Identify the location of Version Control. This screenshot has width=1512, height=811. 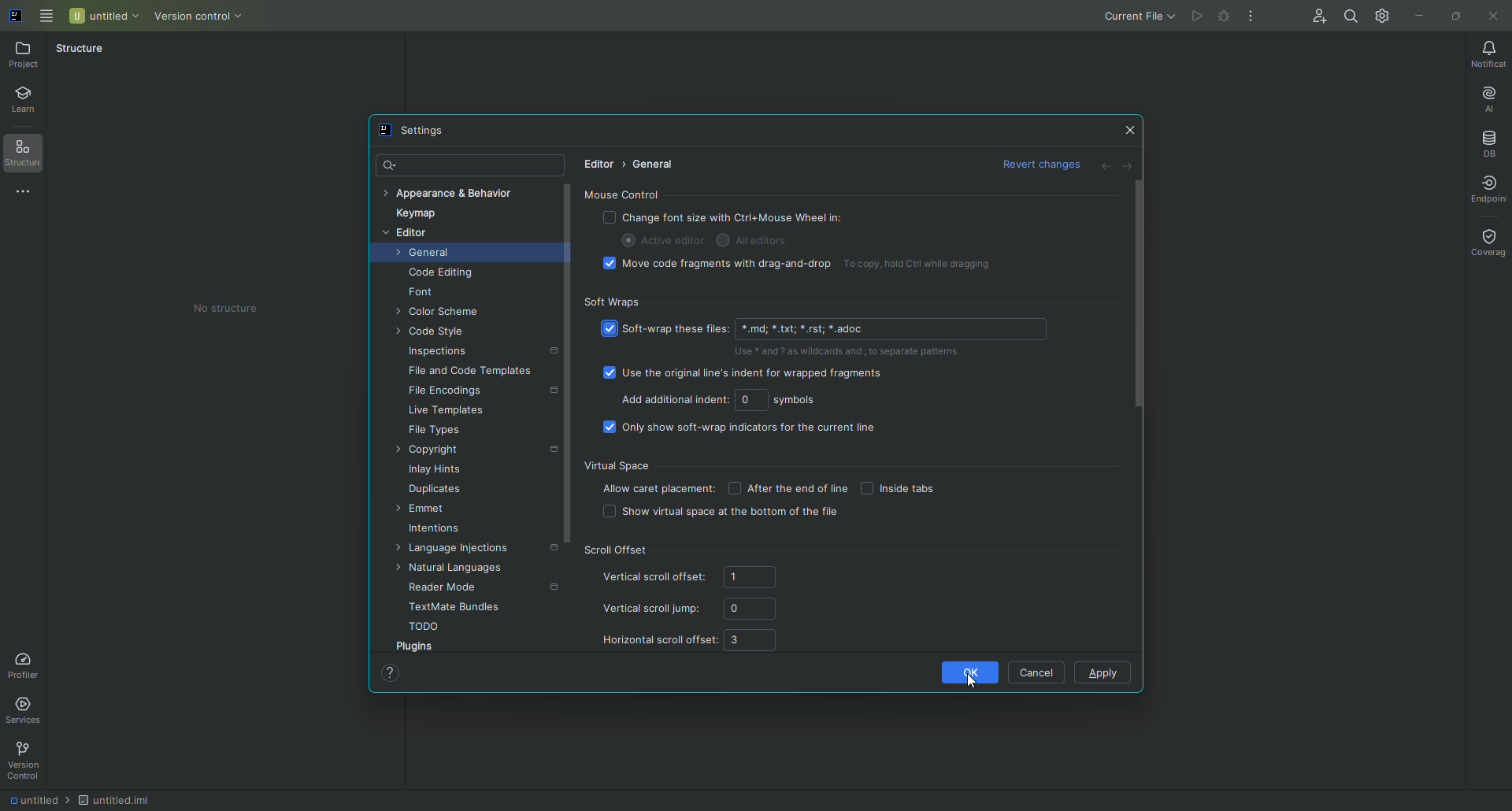
(24, 763).